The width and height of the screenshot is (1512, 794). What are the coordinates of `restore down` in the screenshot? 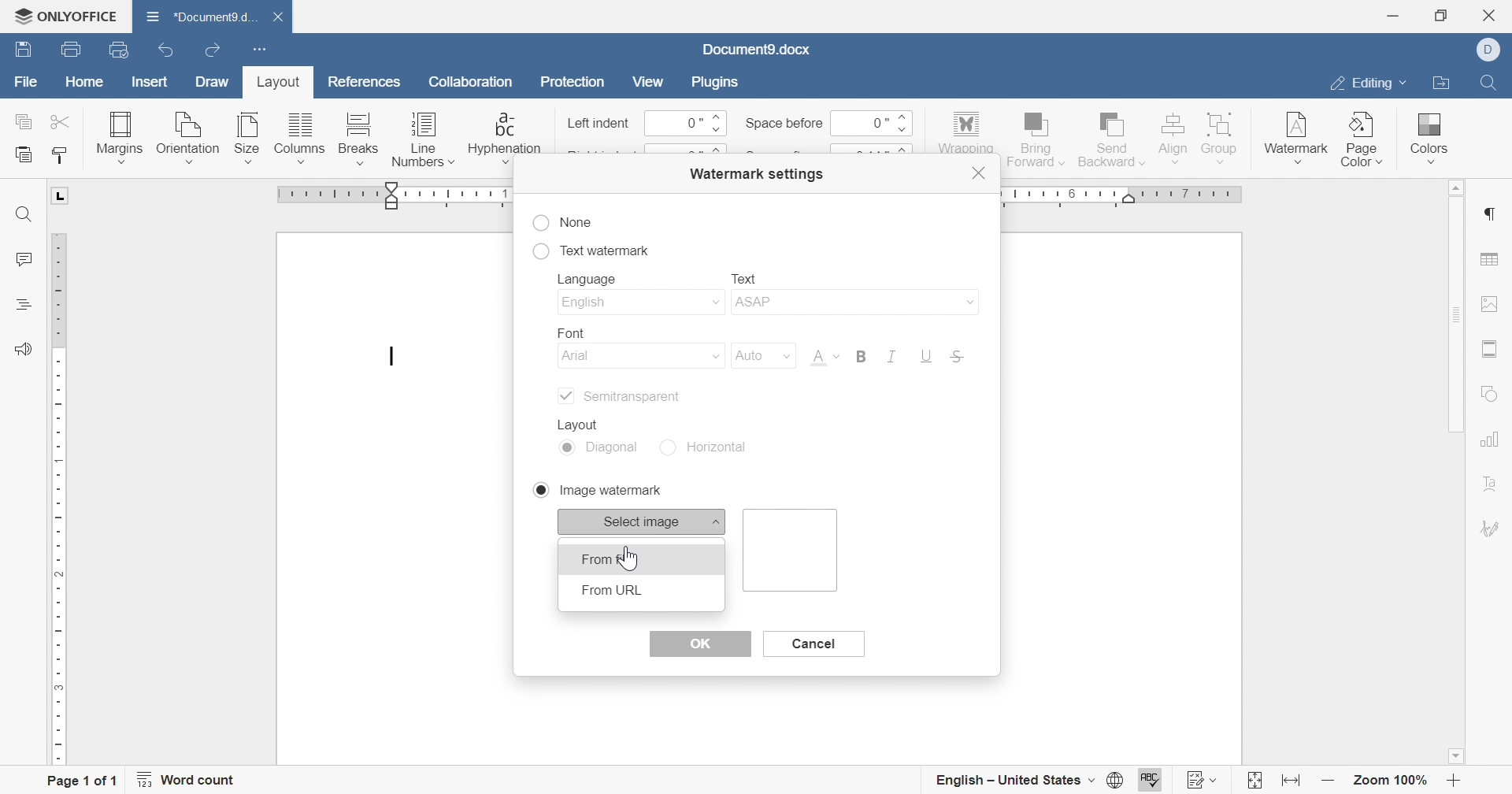 It's located at (1446, 15).